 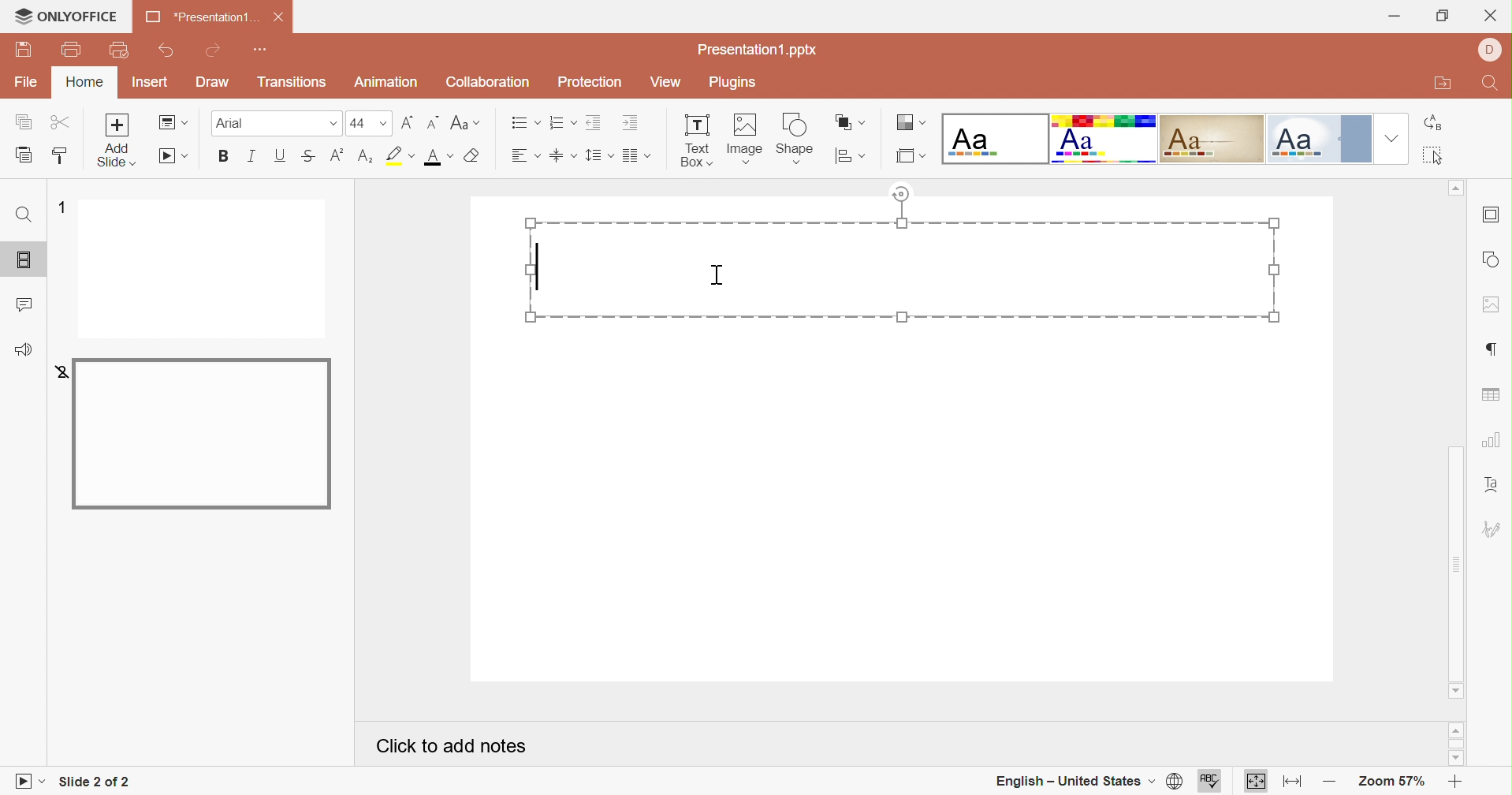 What do you see at coordinates (1074, 780) in the screenshot?
I see `English - United States` at bounding box center [1074, 780].